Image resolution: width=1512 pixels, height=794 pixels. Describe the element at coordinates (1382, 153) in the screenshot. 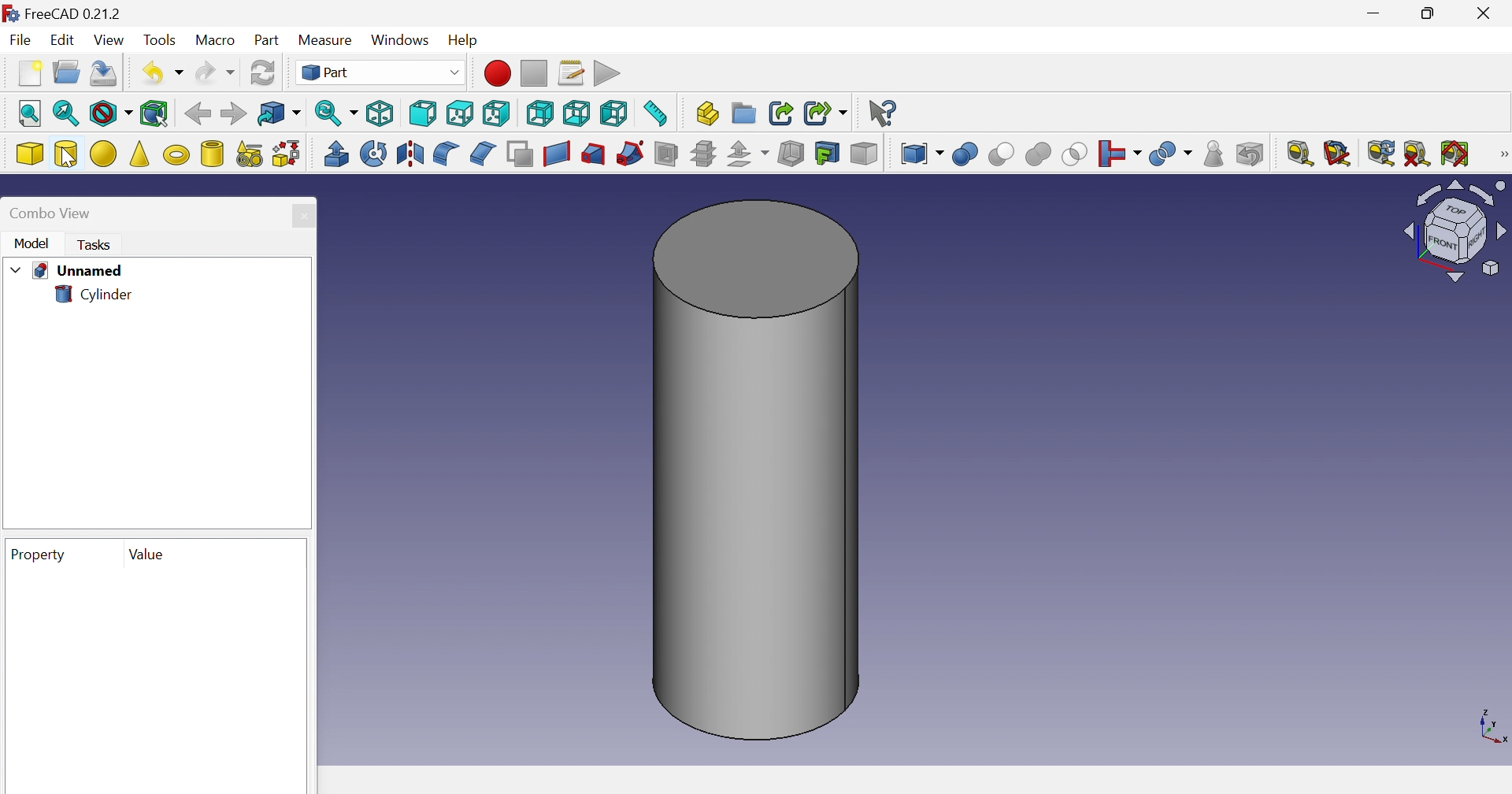

I see `Refresh ` at that location.